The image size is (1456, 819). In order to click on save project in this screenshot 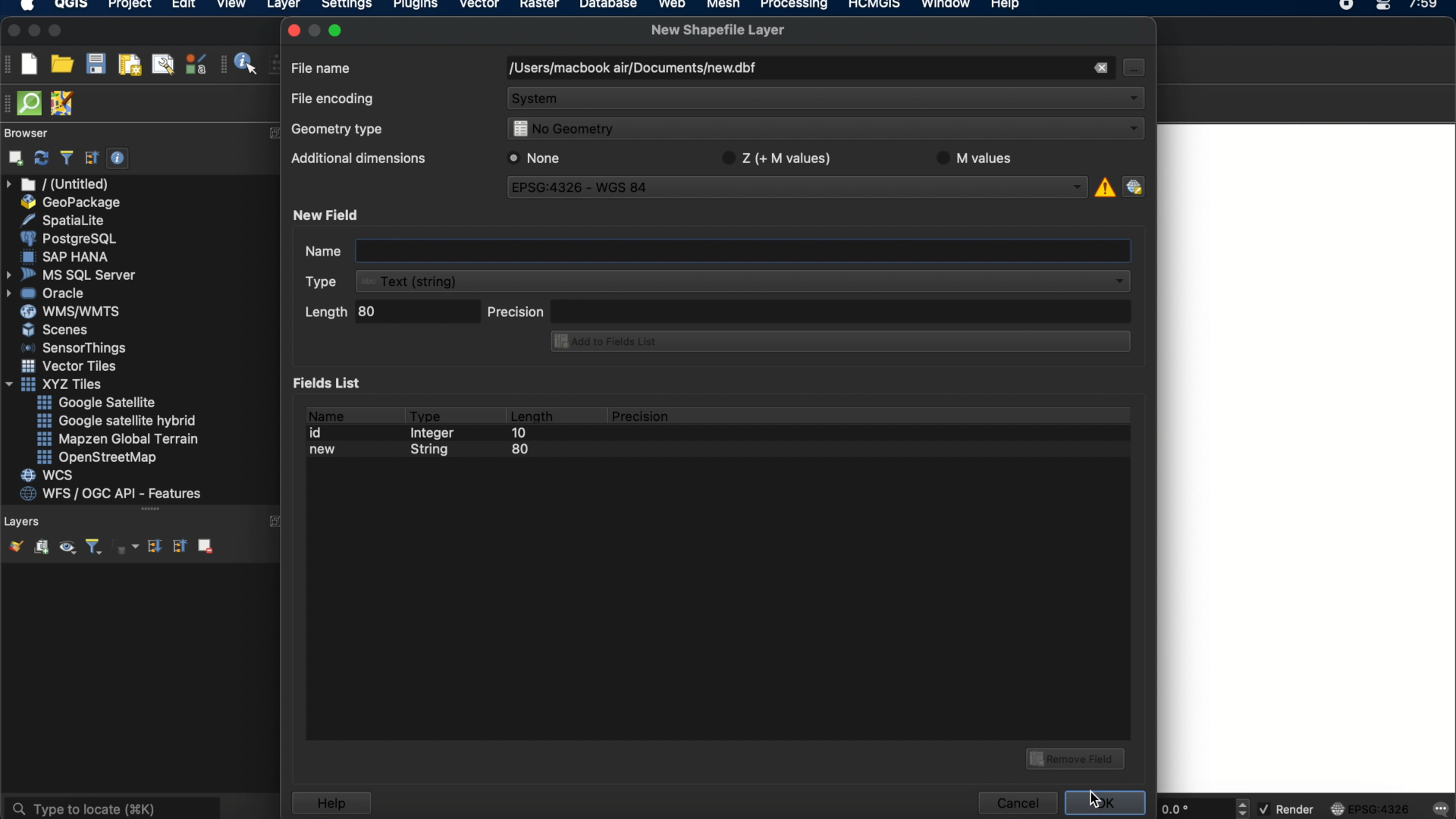, I will do `click(95, 64)`.